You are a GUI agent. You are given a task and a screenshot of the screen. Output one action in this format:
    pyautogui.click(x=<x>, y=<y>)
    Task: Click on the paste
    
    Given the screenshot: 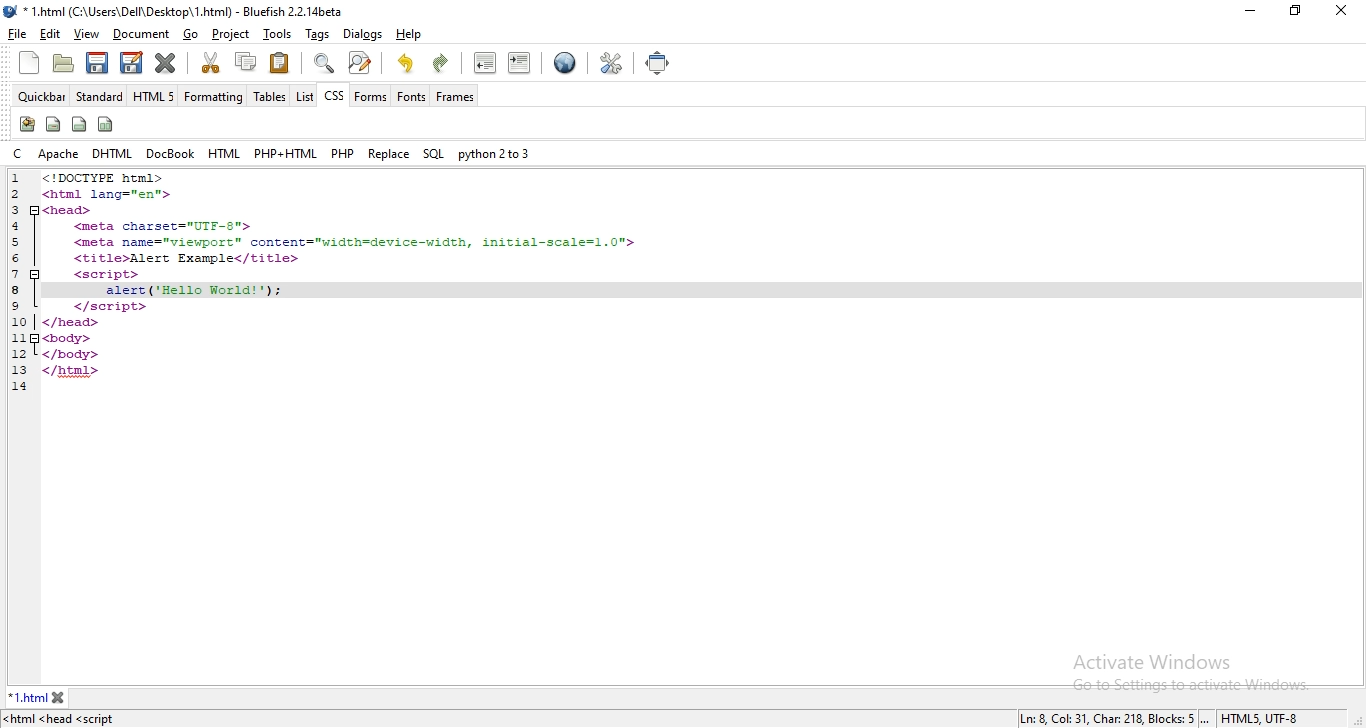 What is the action you would take?
    pyautogui.click(x=279, y=64)
    